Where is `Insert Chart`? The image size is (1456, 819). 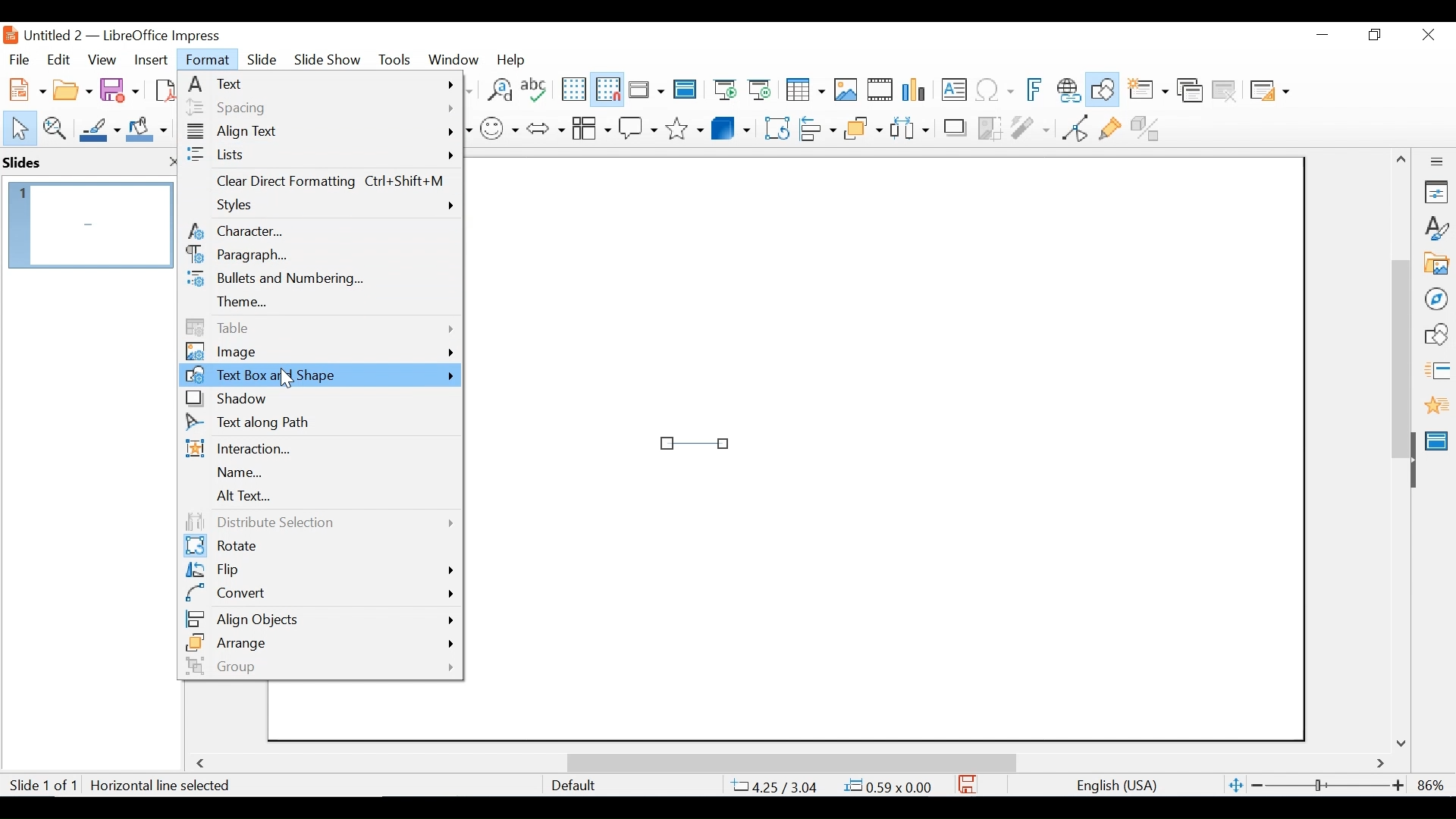 Insert Chart is located at coordinates (916, 91).